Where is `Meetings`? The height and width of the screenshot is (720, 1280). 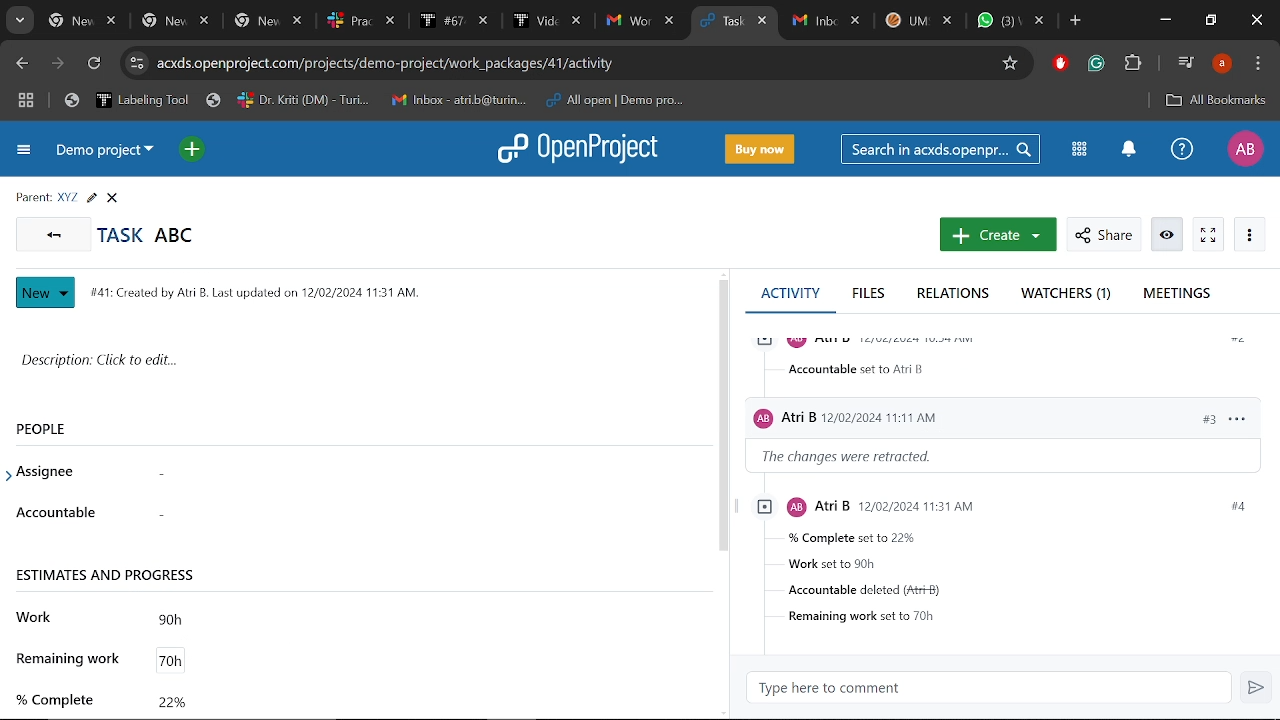
Meetings is located at coordinates (1177, 294).